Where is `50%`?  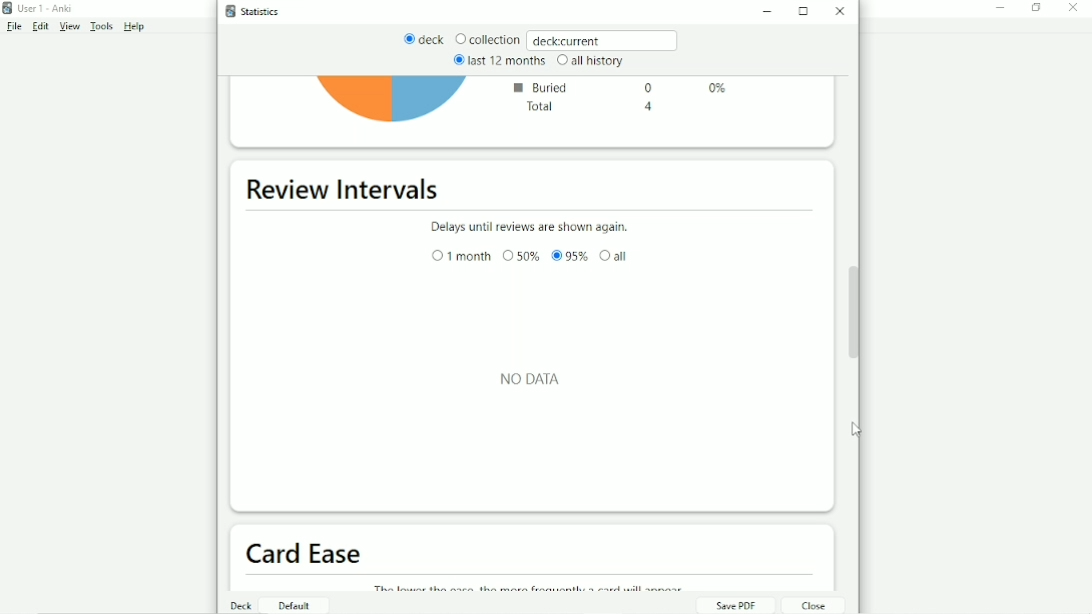 50% is located at coordinates (522, 256).